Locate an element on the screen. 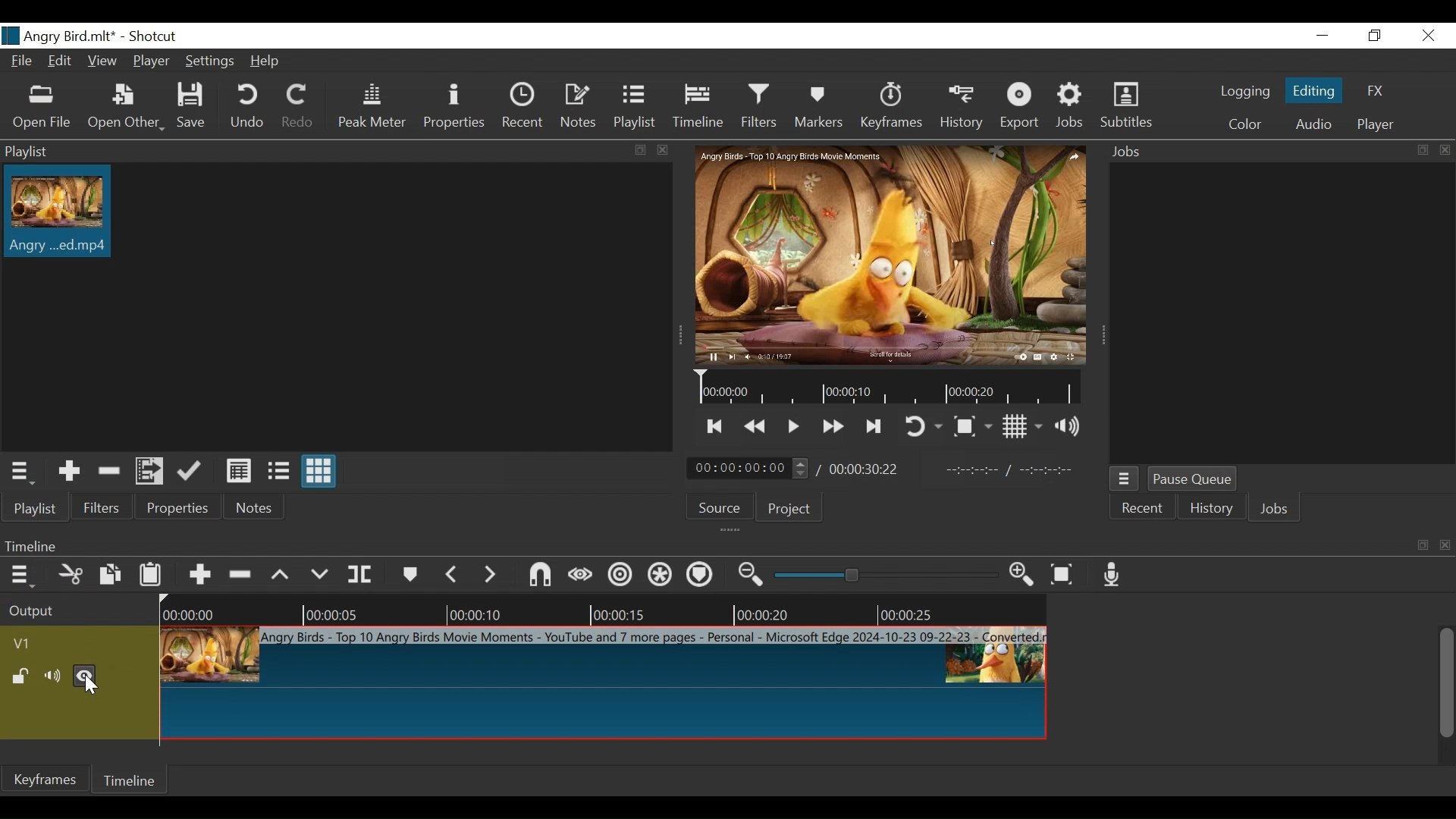 This screenshot has width=1456, height=819. View is located at coordinates (104, 61).